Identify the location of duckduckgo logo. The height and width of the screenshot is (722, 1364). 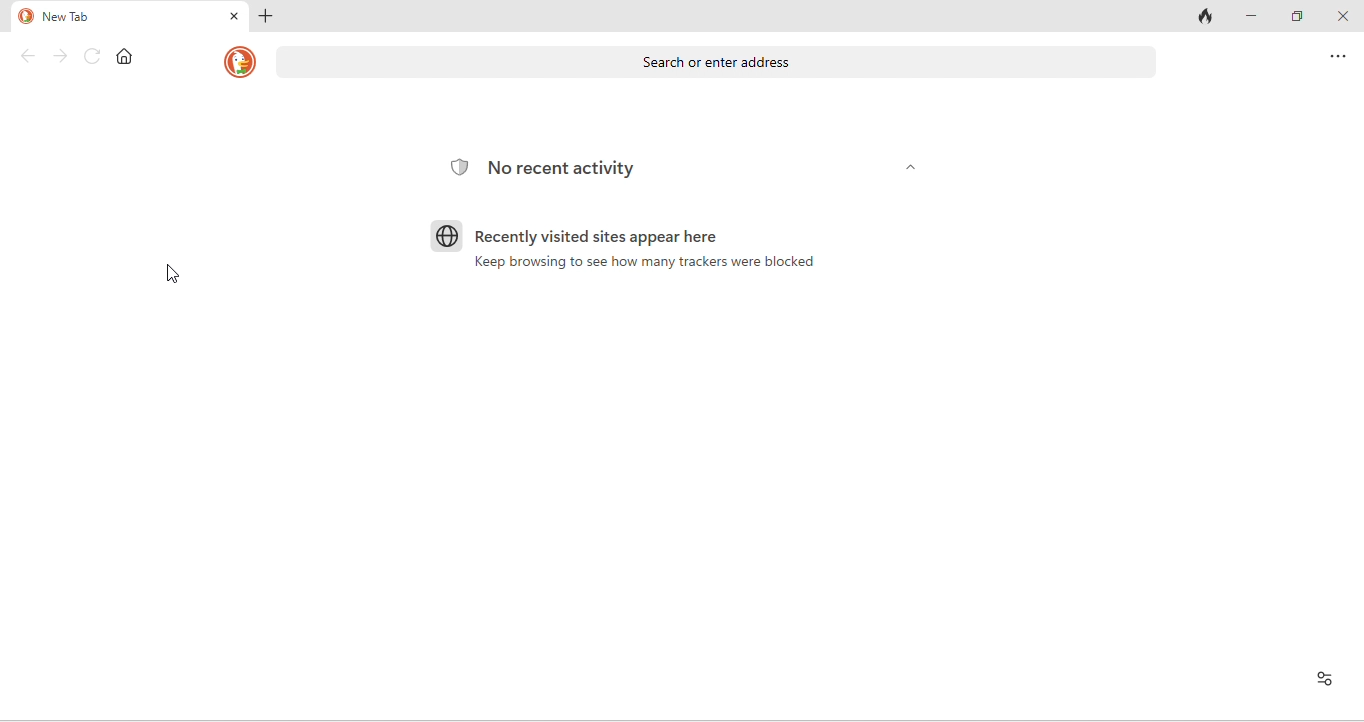
(237, 64).